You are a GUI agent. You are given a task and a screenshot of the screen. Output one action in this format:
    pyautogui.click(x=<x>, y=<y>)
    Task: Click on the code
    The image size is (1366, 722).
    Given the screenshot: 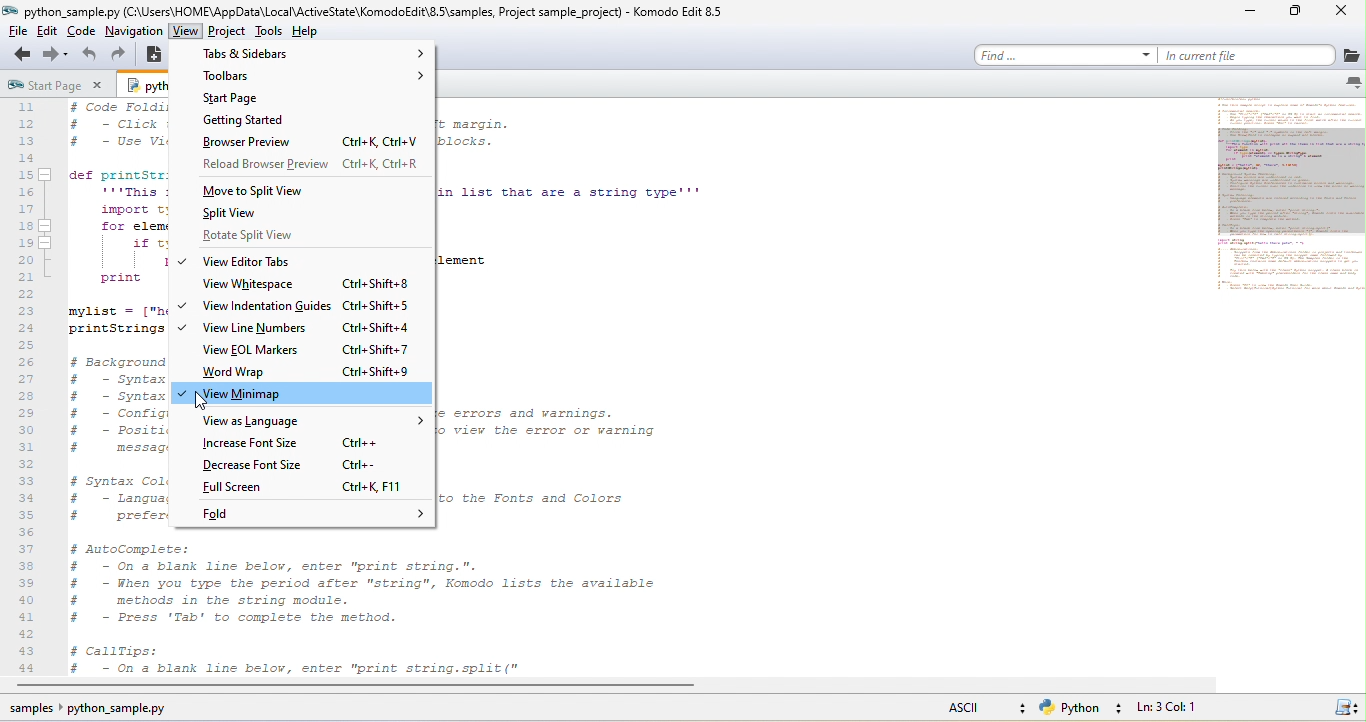 What is the action you would take?
    pyautogui.click(x=85, y=35)
    